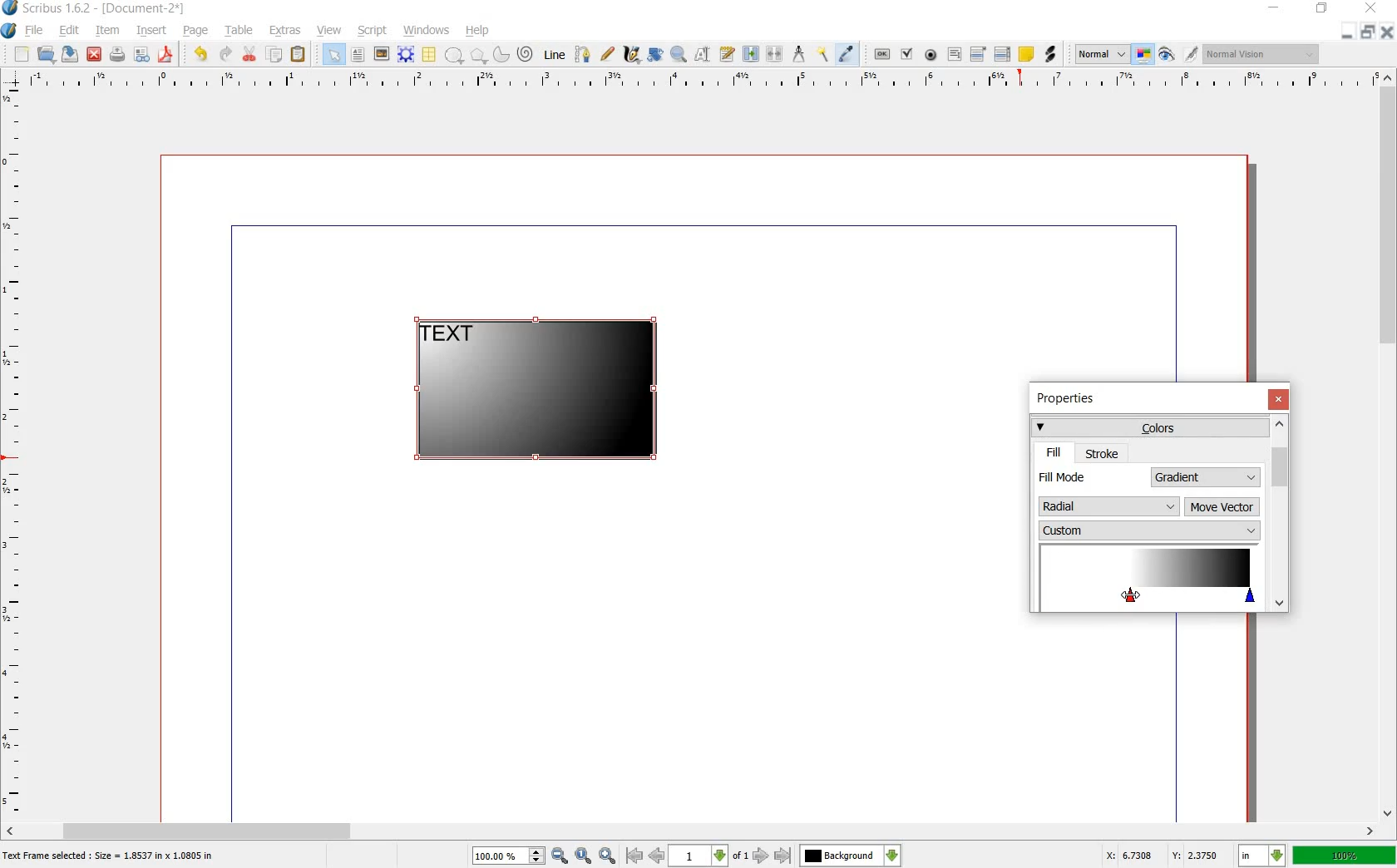 Image resolution: width=1397 pixels, height=868 pixels. I want to click on gradient added to shape, so click(540, 392).